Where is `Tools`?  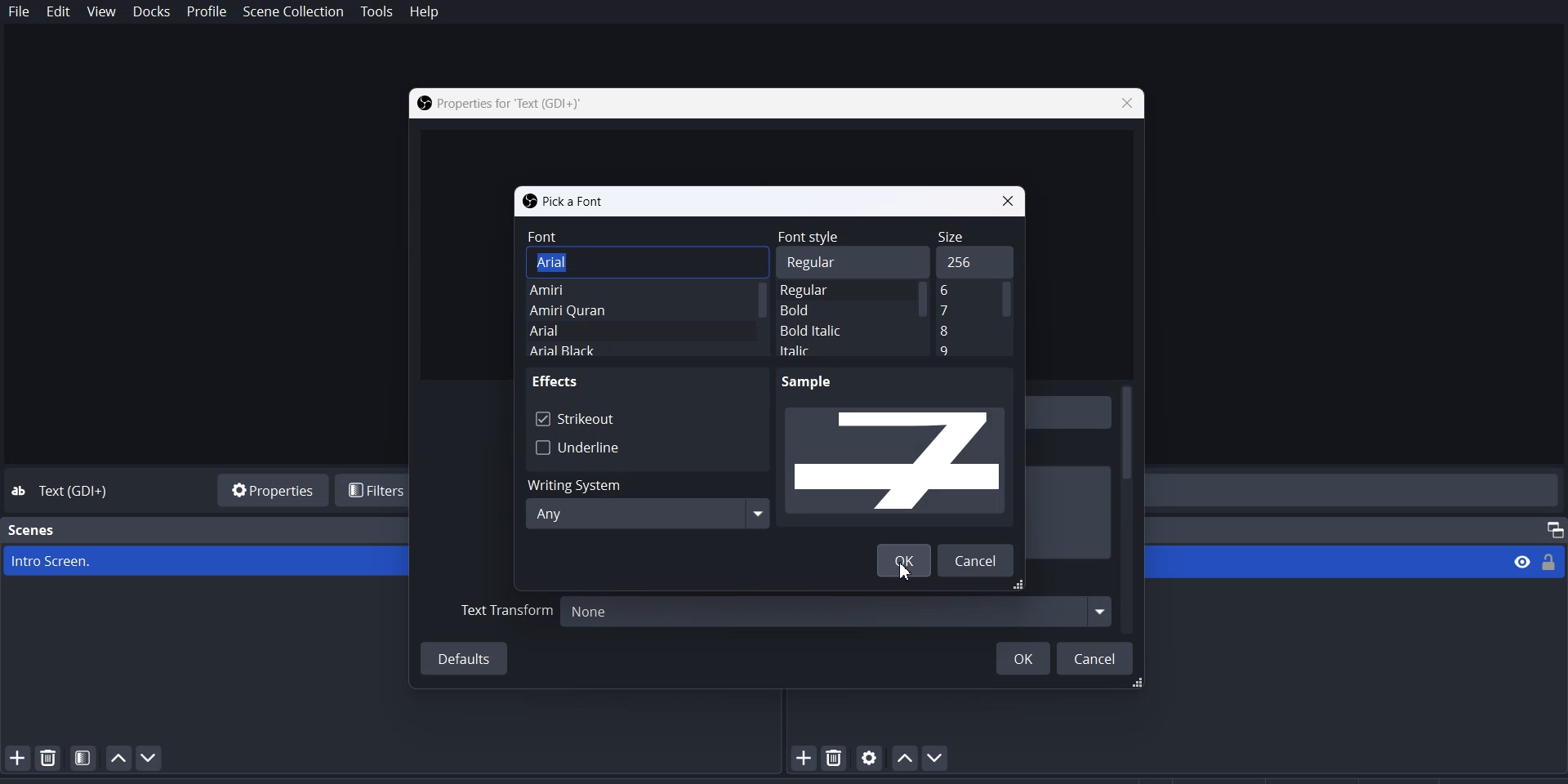
Tools is located at coordinates (377, 12).